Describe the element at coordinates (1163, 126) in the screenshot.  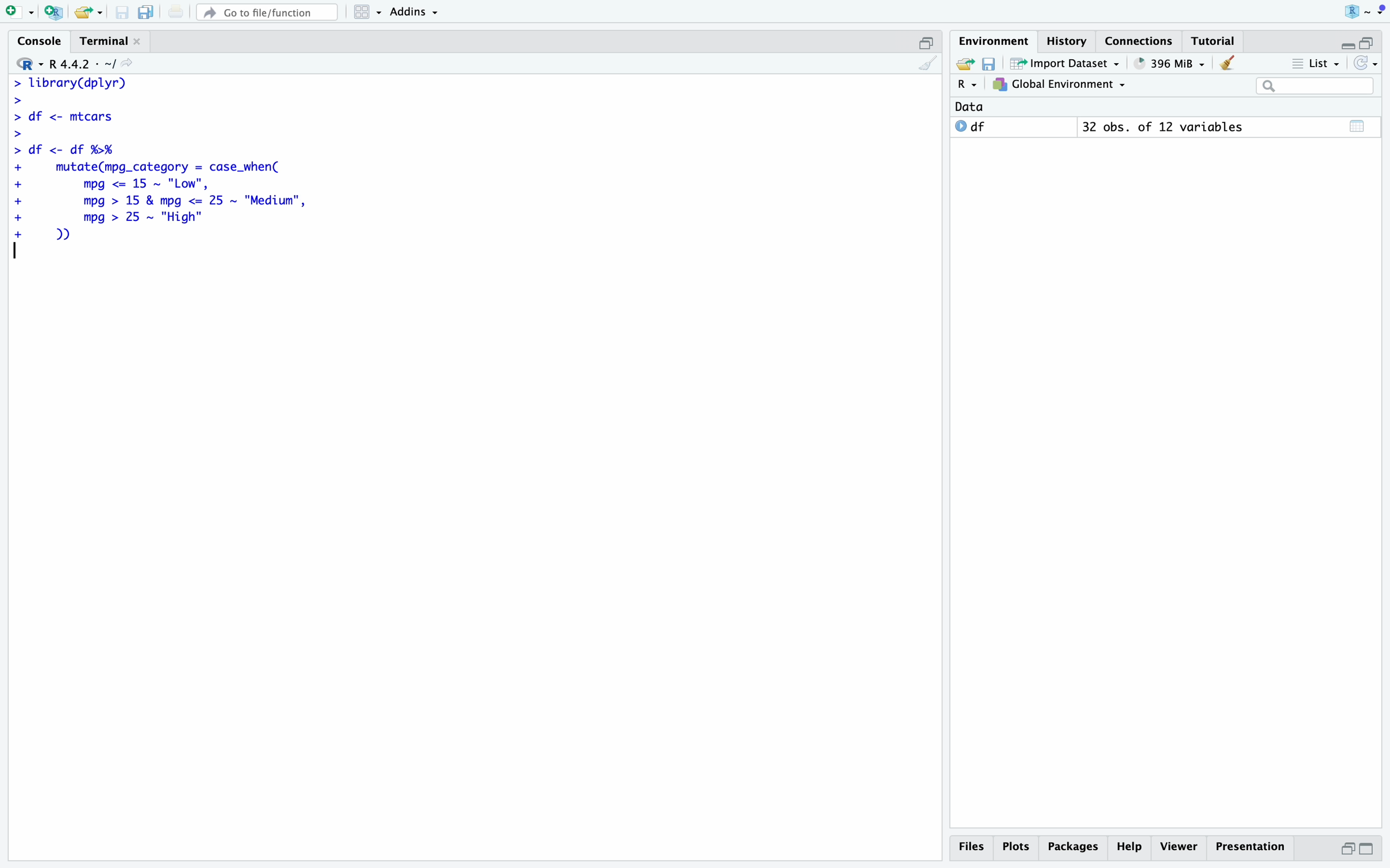
I see `32 obs. of 12 variables` at that location.